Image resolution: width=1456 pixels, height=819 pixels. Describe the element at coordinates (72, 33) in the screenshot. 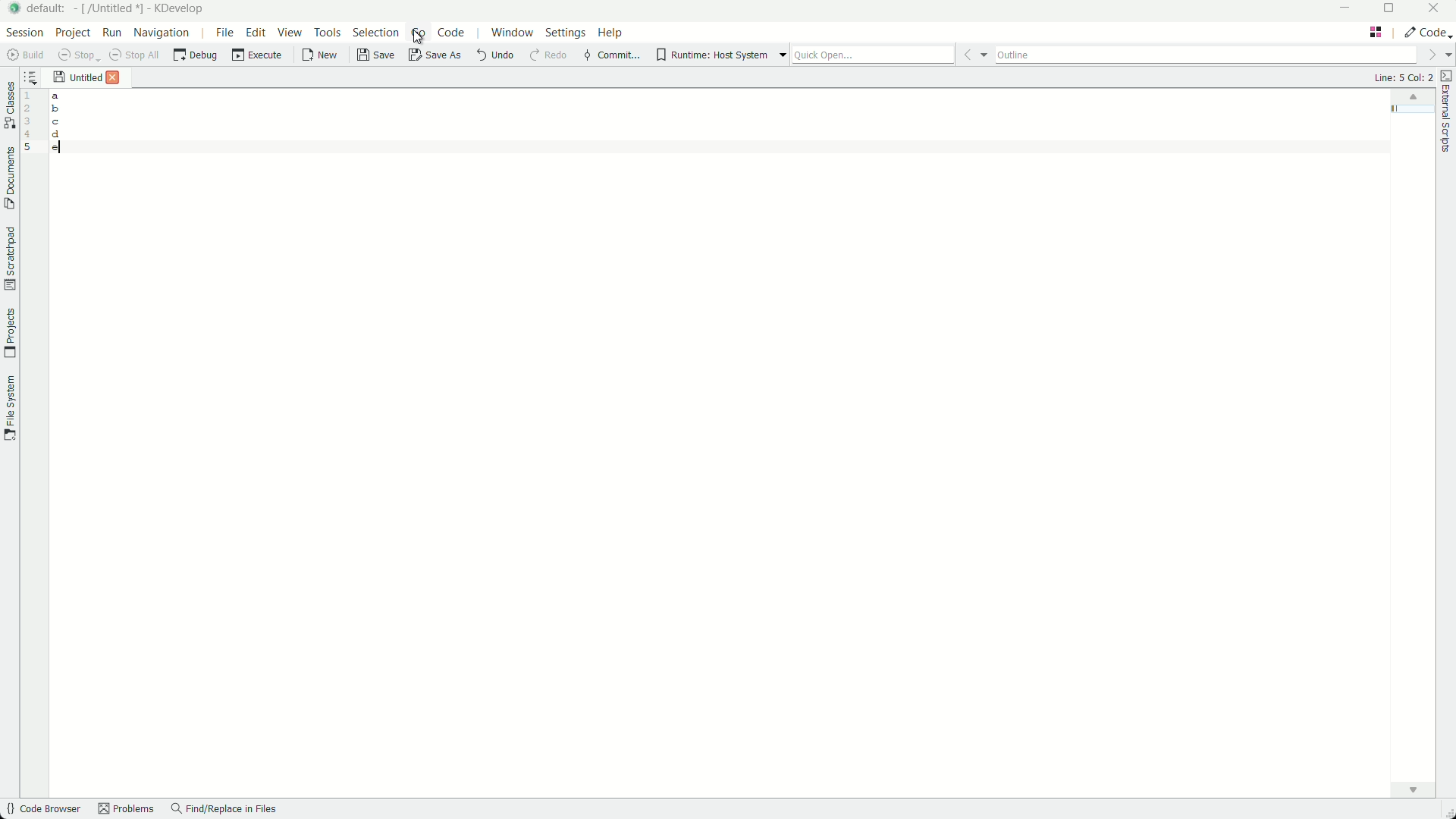

I see `project` at that location.